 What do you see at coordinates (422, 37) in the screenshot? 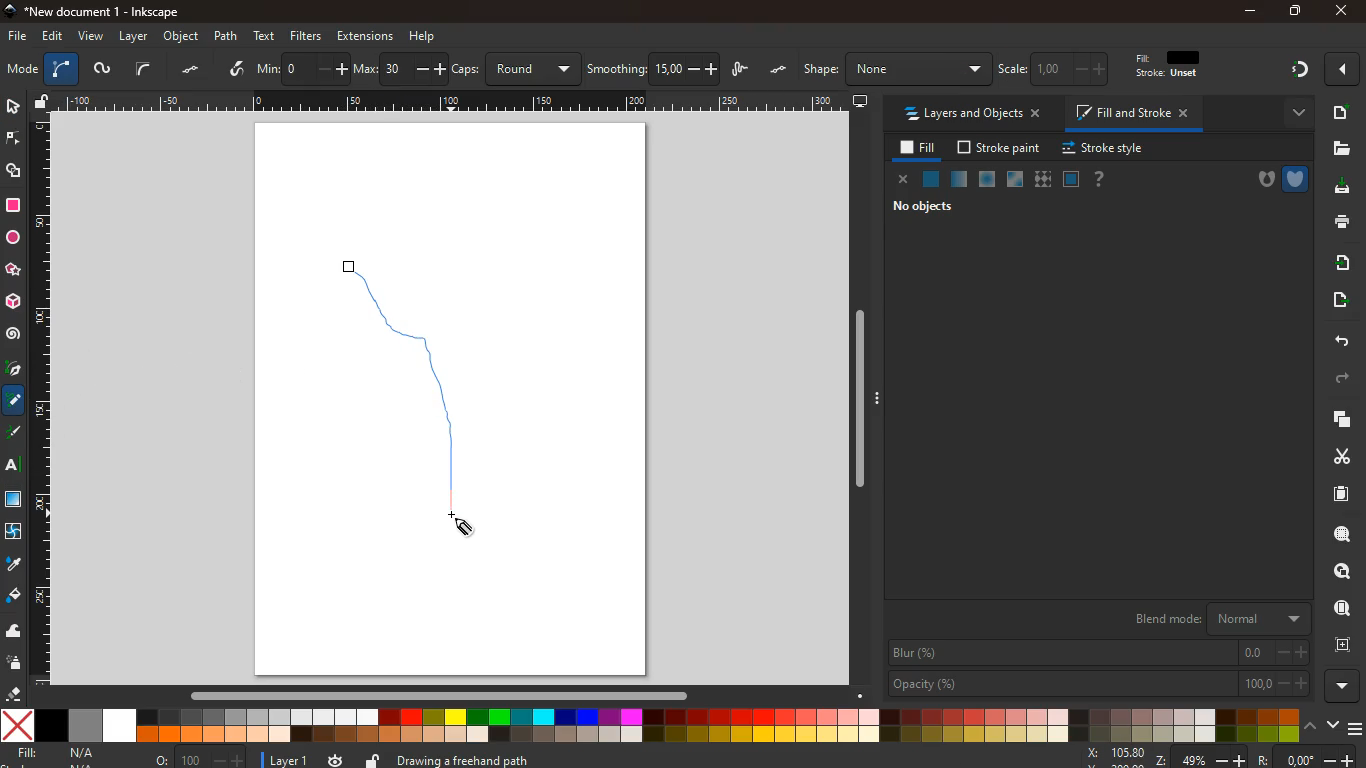
I see `help` at bounding box center [422, 37].